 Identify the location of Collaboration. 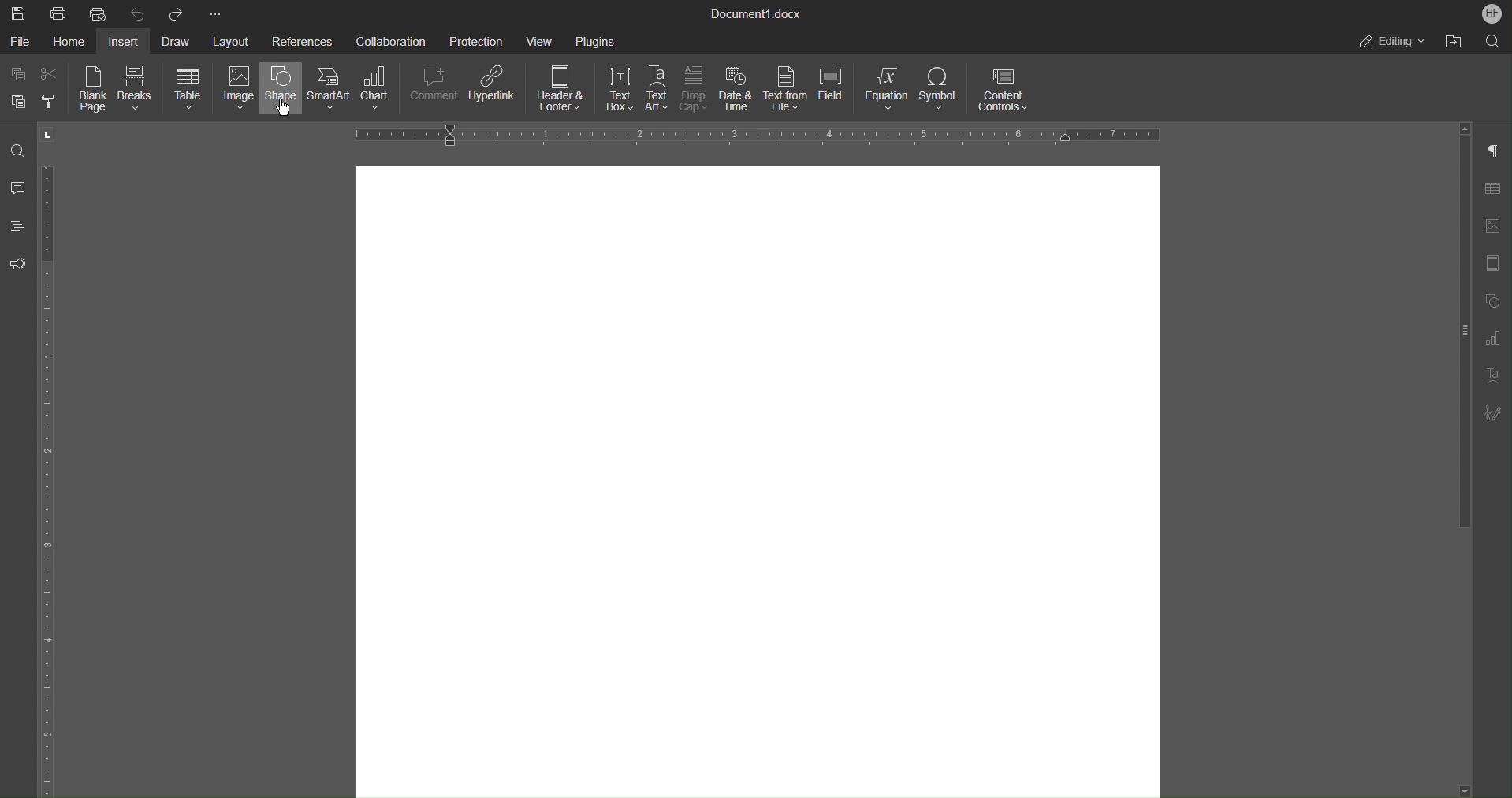
(389, 41).